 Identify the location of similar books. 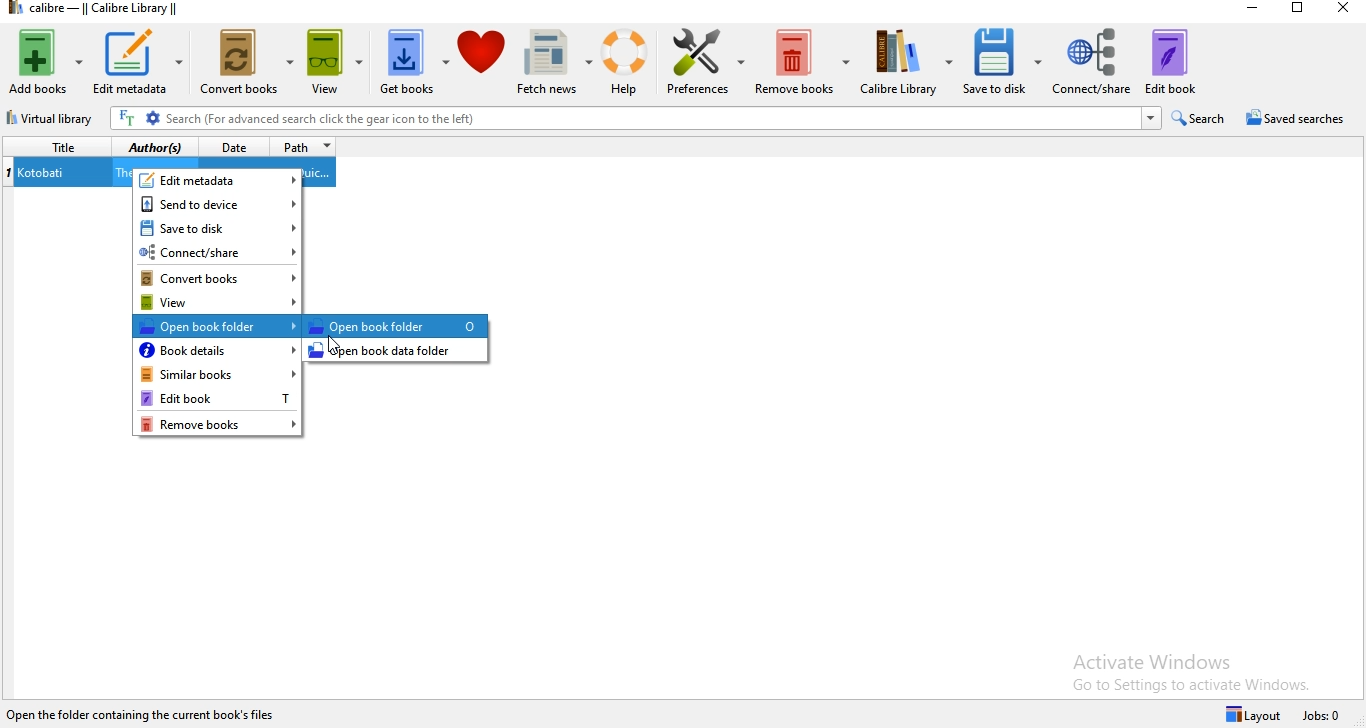
(218, 374).